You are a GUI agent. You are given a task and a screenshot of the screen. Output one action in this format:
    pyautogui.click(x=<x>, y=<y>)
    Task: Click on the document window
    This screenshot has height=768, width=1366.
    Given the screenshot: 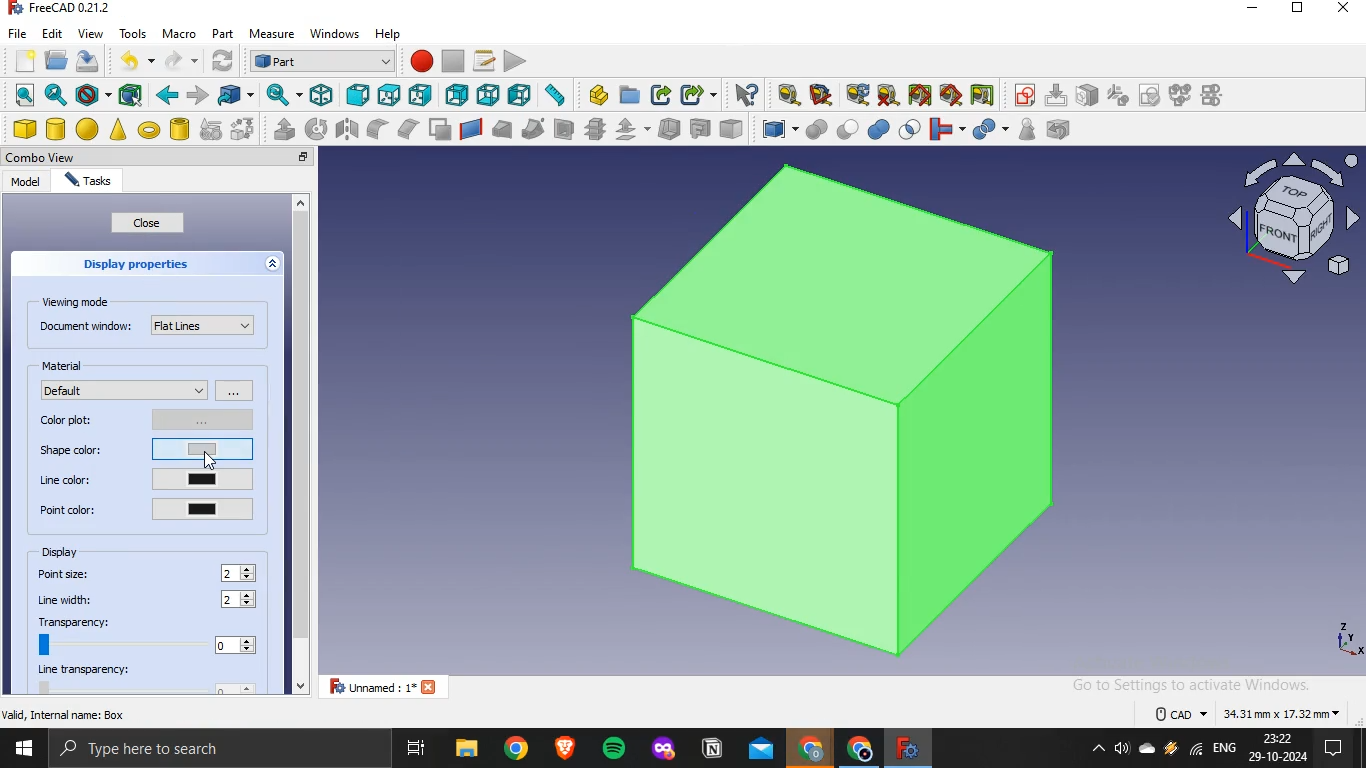 What is the action you would take?
    pyautogui.click(x=147, y=324)
    